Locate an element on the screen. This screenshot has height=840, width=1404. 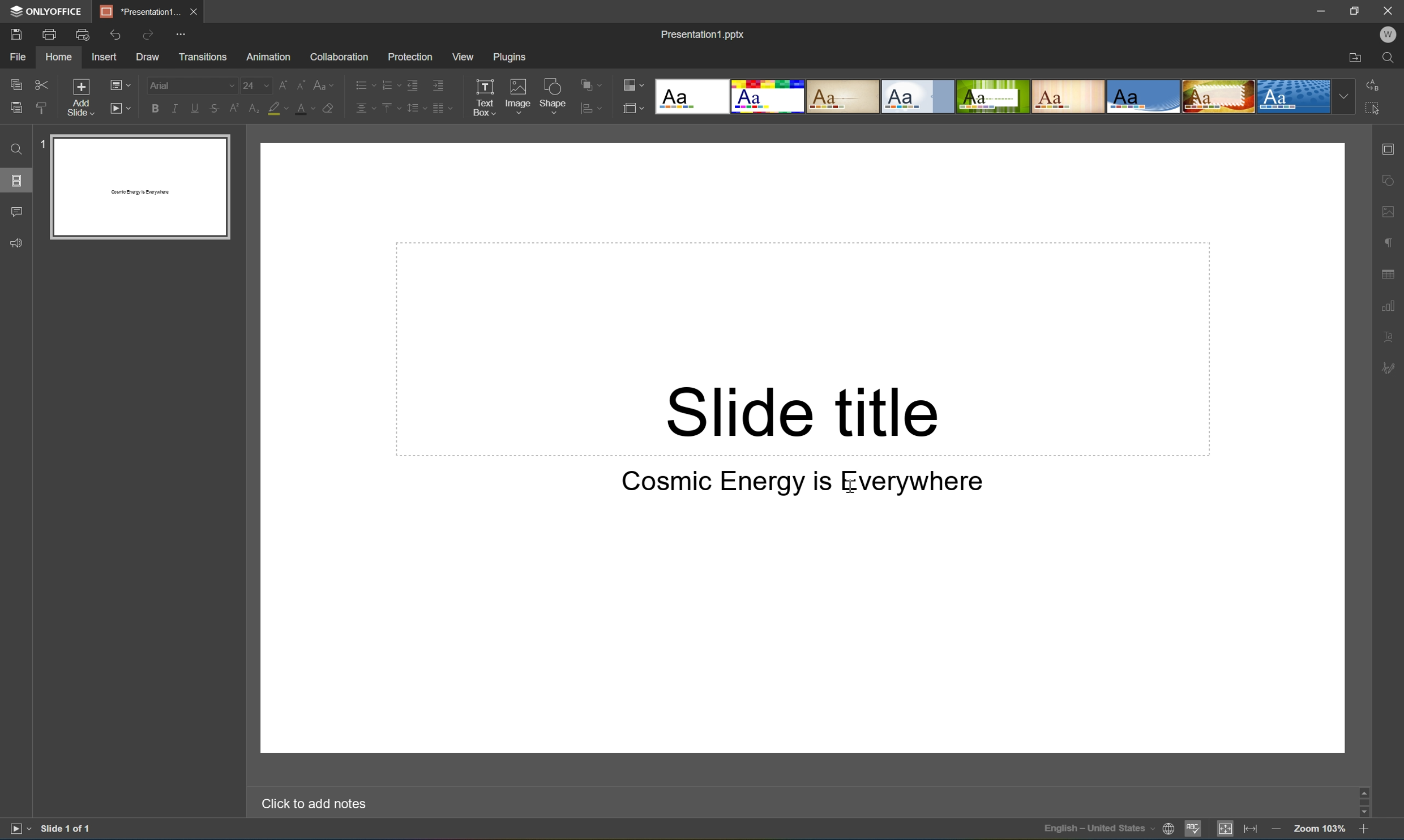
Slide title is located at coordinates (801, 410).